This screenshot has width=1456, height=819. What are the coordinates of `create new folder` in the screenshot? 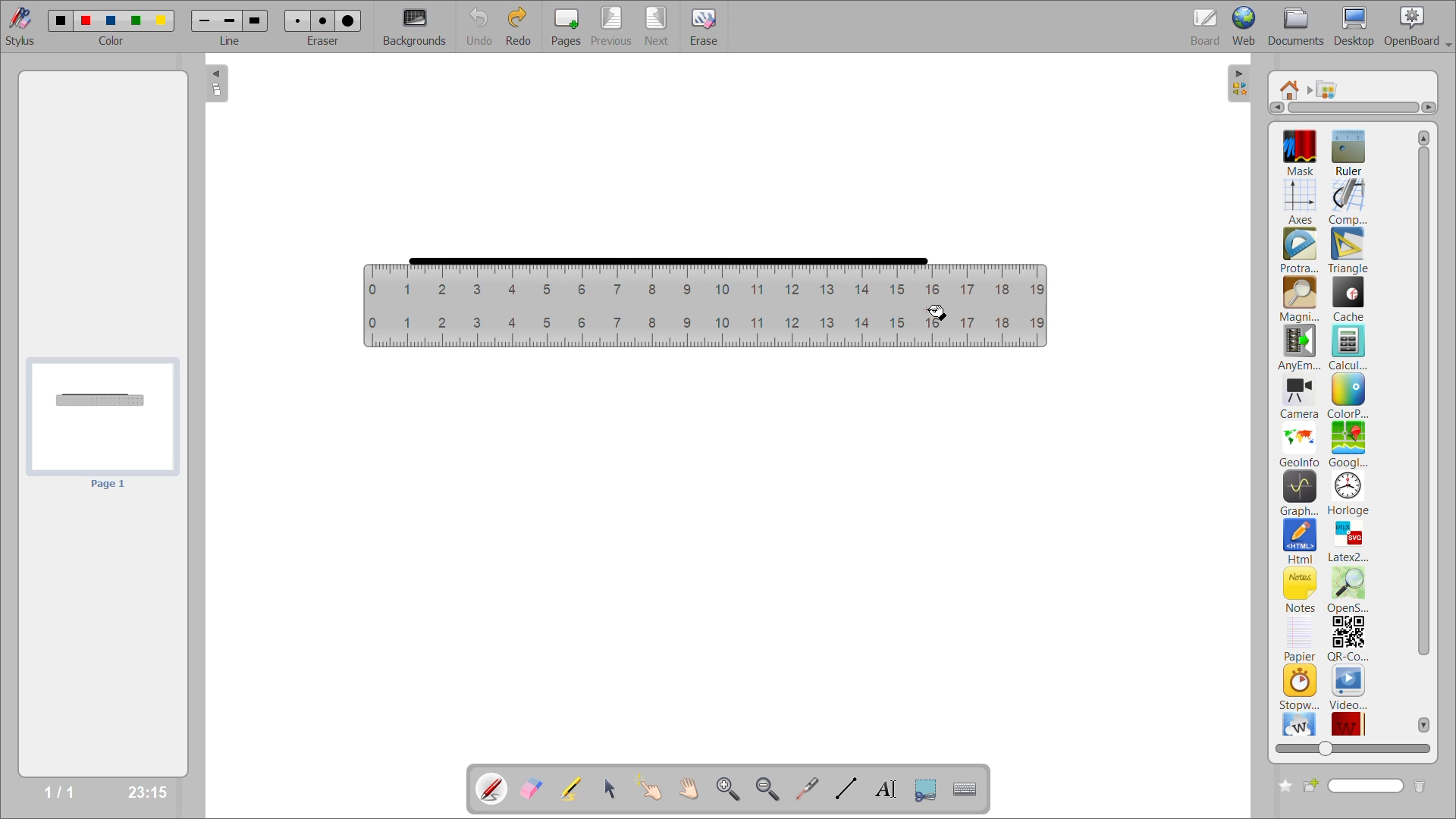 It's located at (1282, 786).